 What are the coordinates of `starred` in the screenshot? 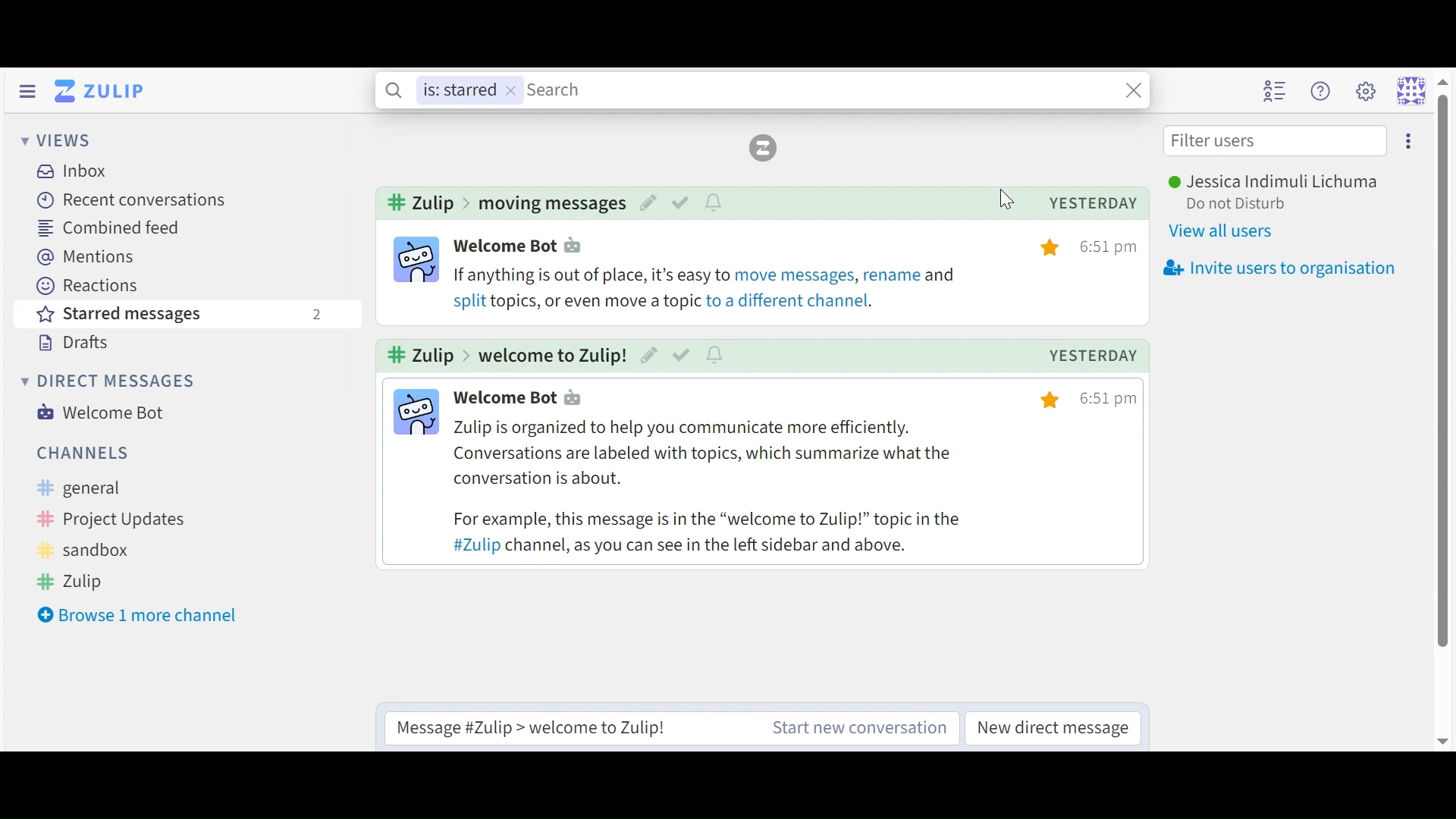 It's located at (1051, 246).